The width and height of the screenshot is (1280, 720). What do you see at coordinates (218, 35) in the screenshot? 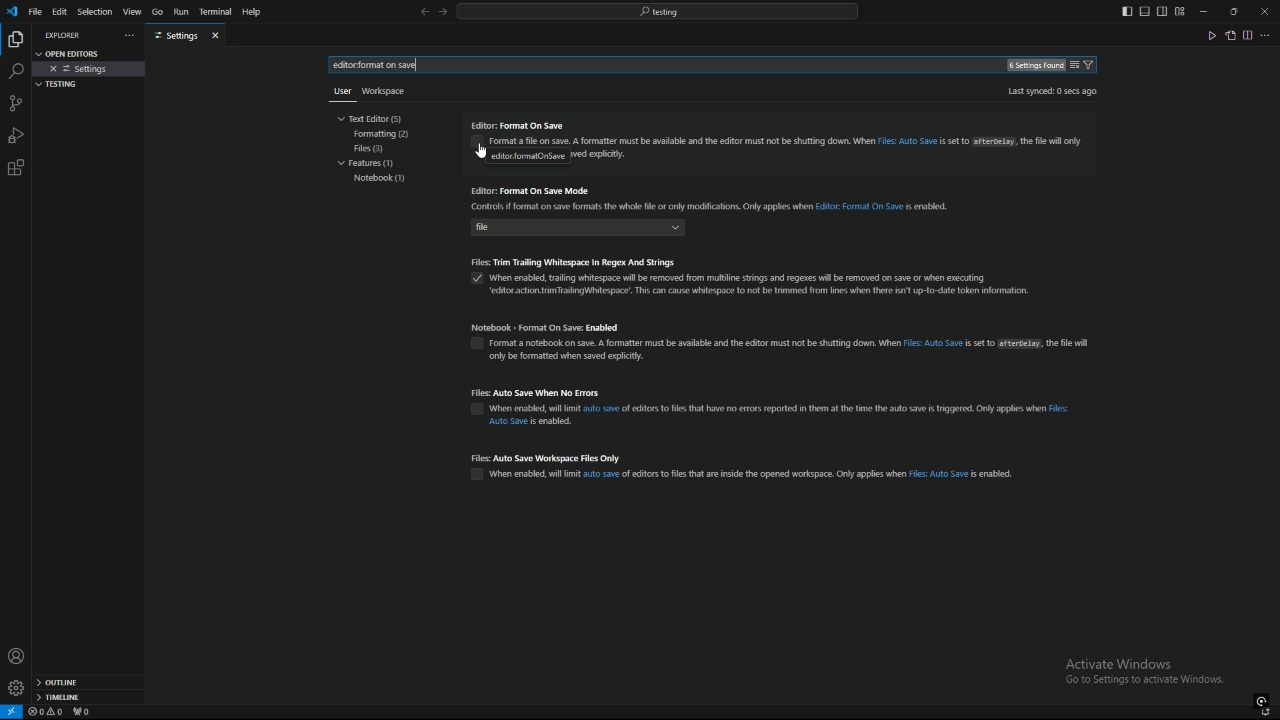
I see `close tab` at bounding box center [218, 35].